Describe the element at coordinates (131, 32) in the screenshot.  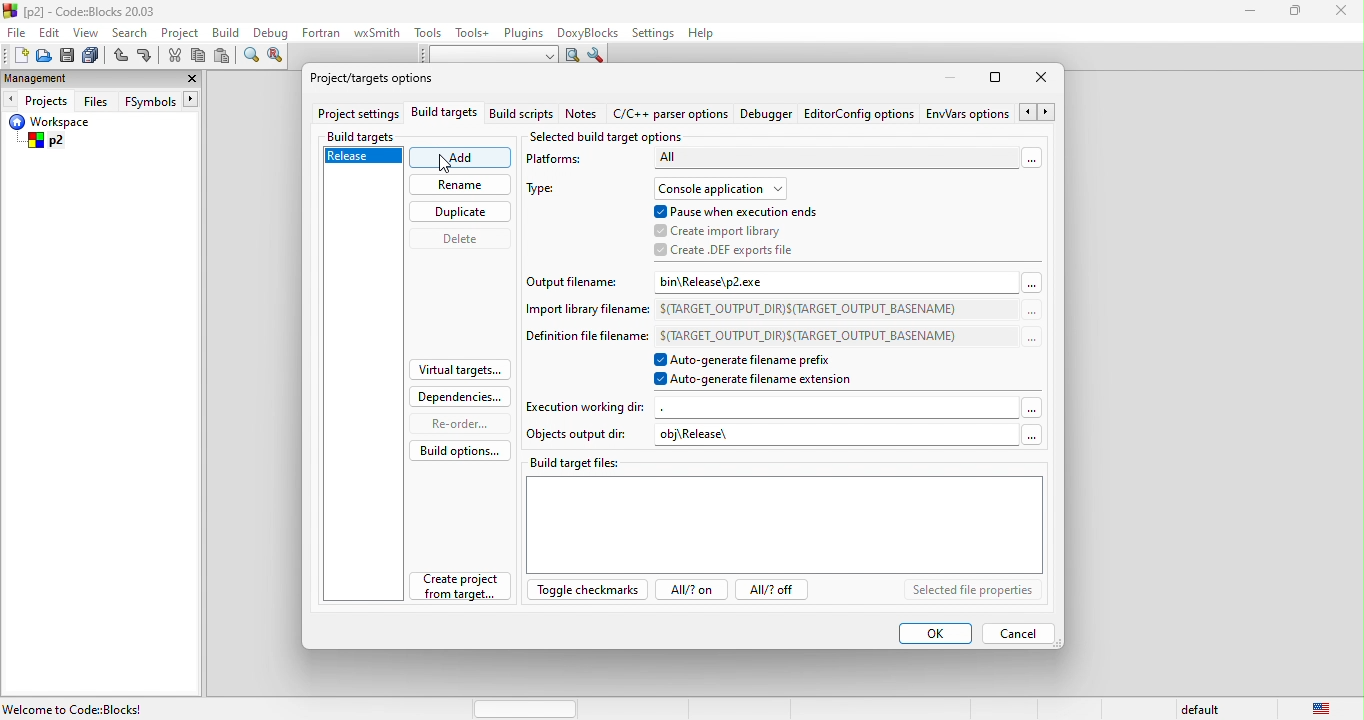
I see `search` at that location.